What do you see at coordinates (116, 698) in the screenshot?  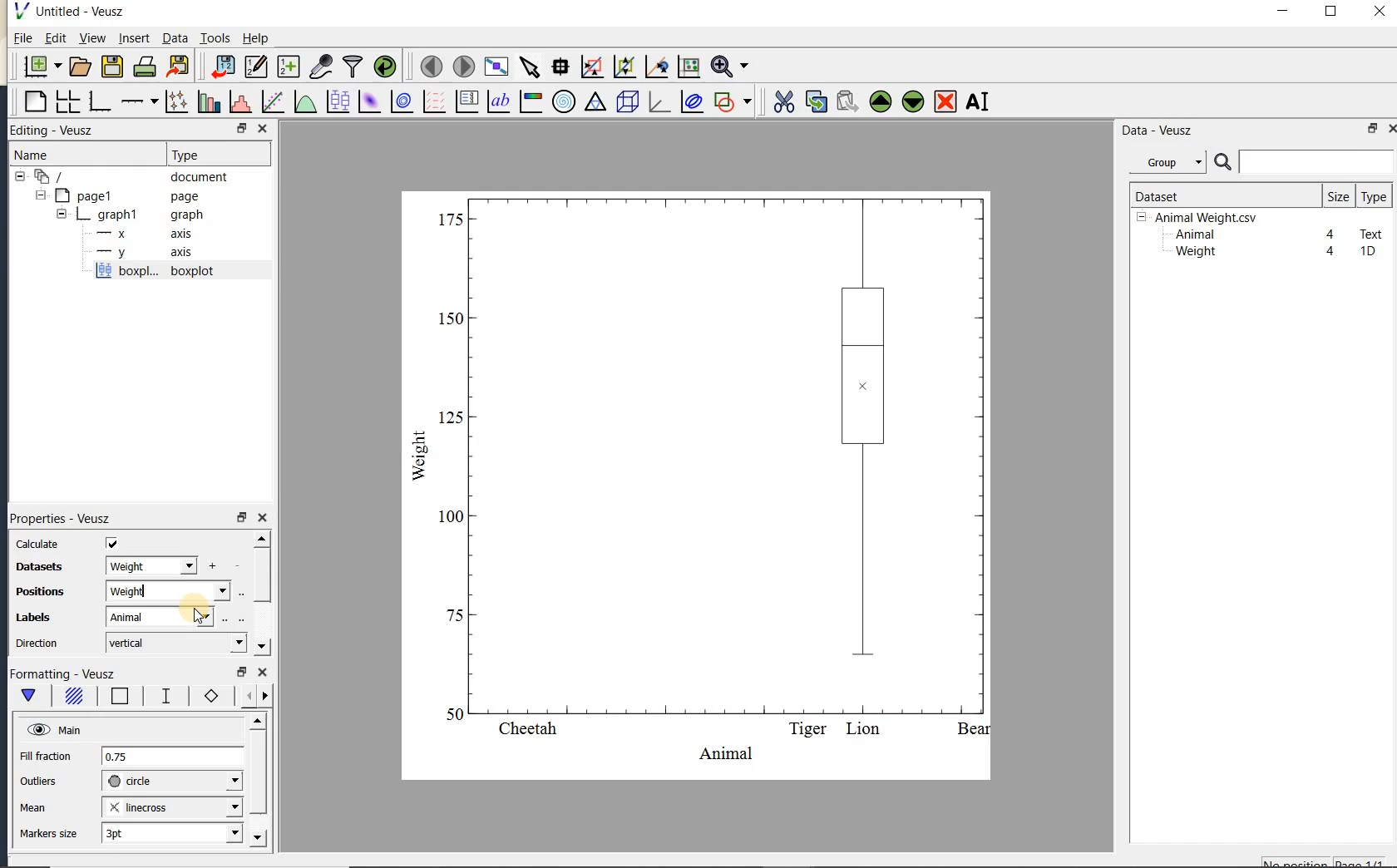 I see `box border` at bounding box center [116, 698].